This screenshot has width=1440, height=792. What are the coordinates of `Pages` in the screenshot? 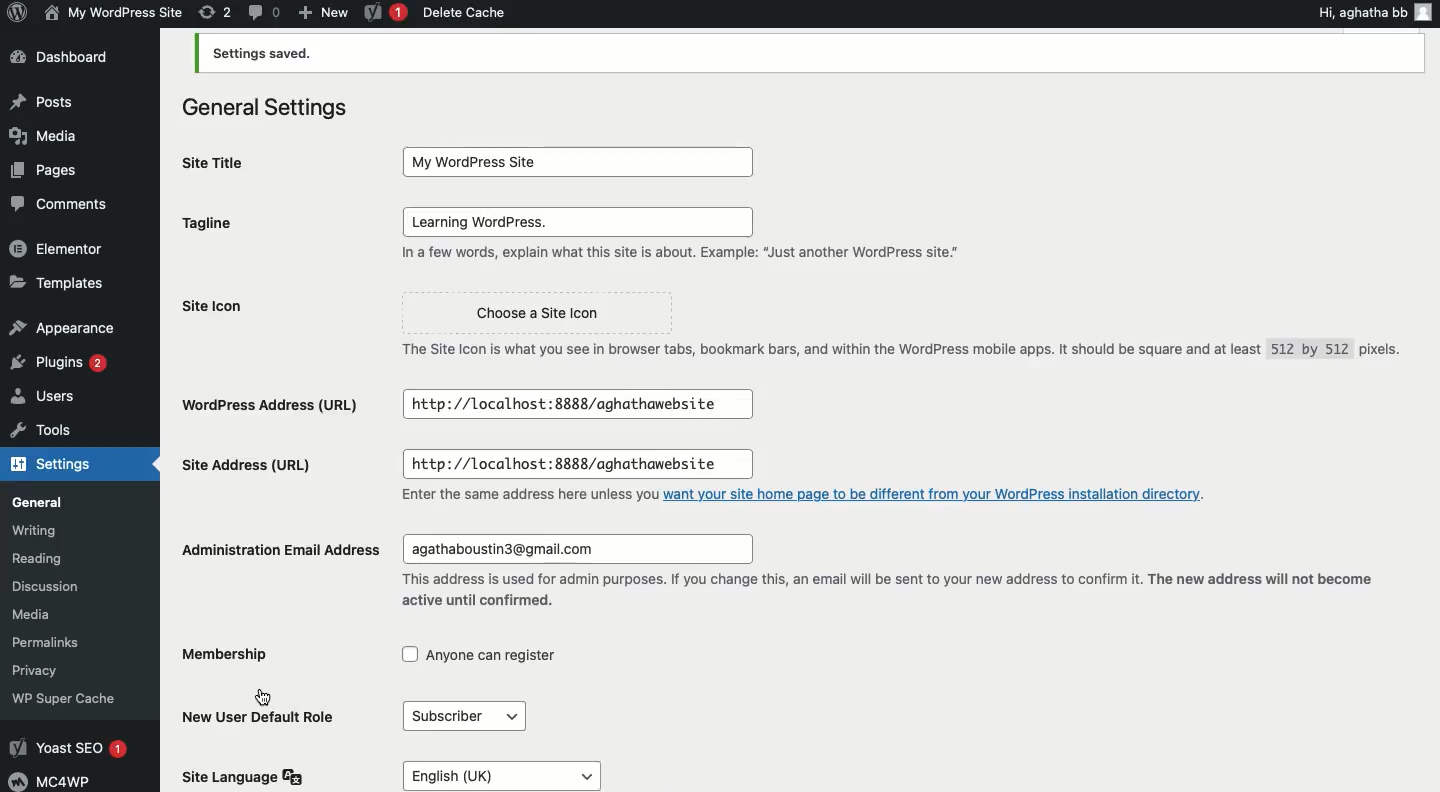 It's located at (40, 172).